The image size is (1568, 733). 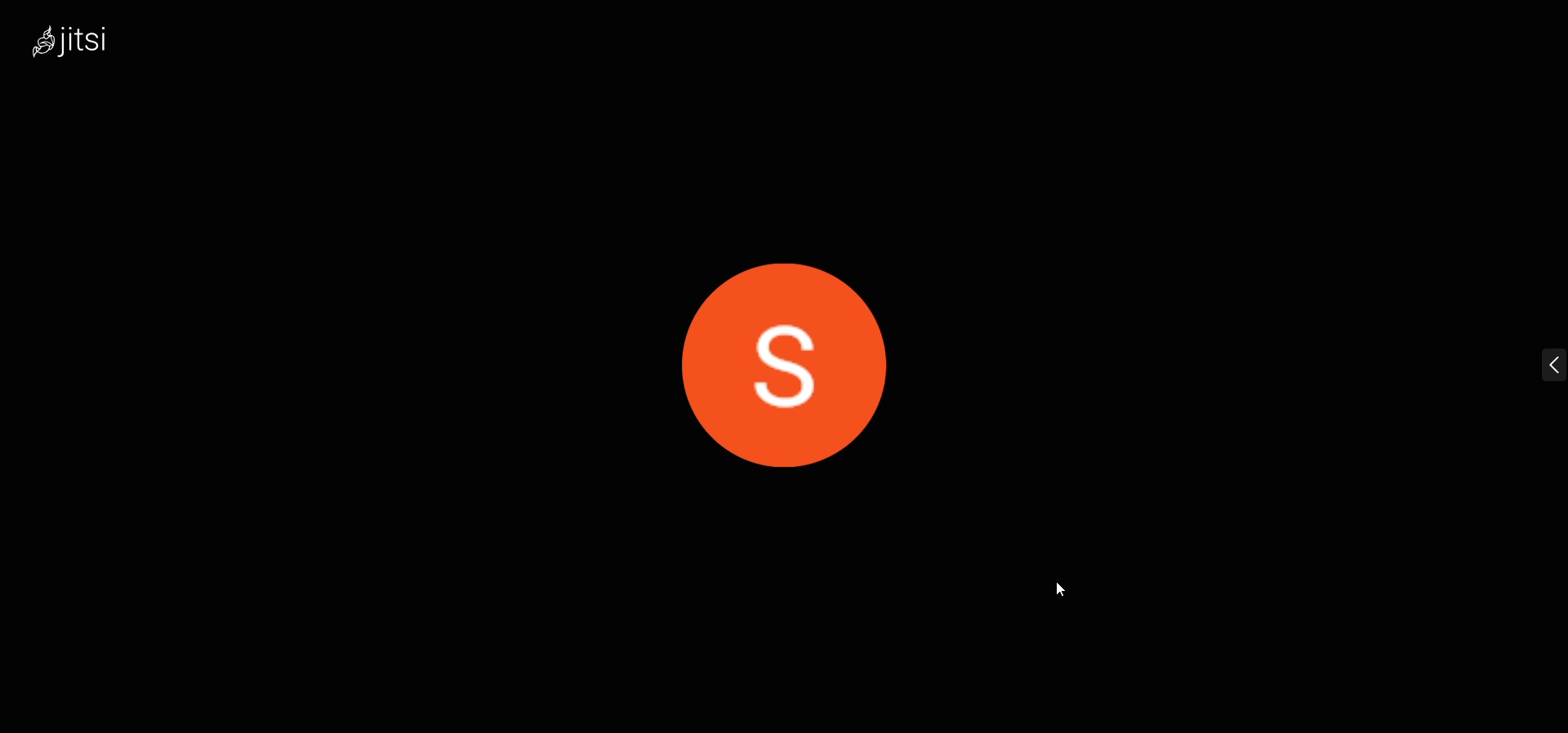 I want to click on display picture, so click(x=791, y=355).